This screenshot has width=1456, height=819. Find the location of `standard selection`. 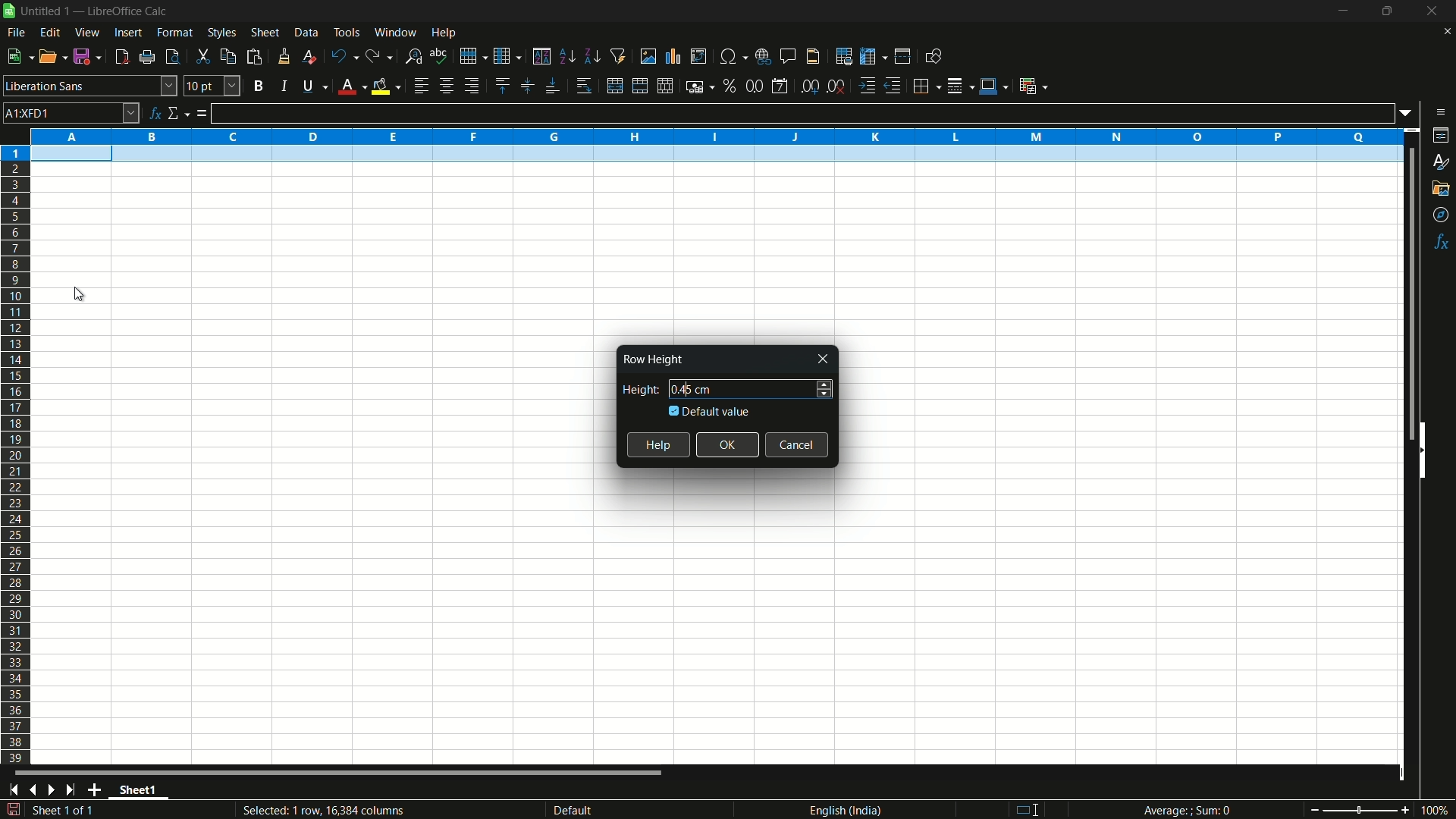

standard selection is located at coordinates (1033, 809).